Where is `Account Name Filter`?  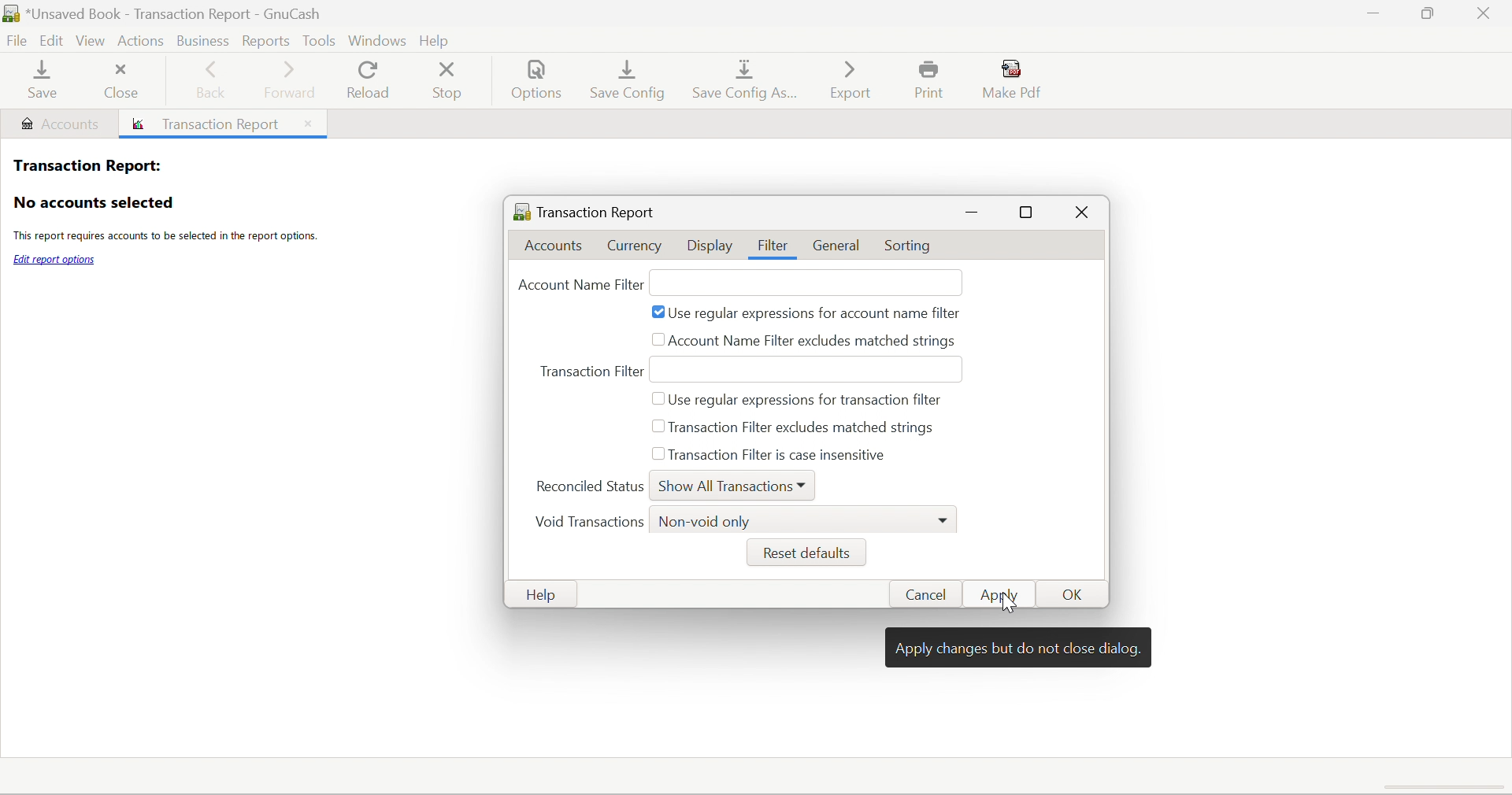
Account Name Filter is located at coordinates (578, 285).